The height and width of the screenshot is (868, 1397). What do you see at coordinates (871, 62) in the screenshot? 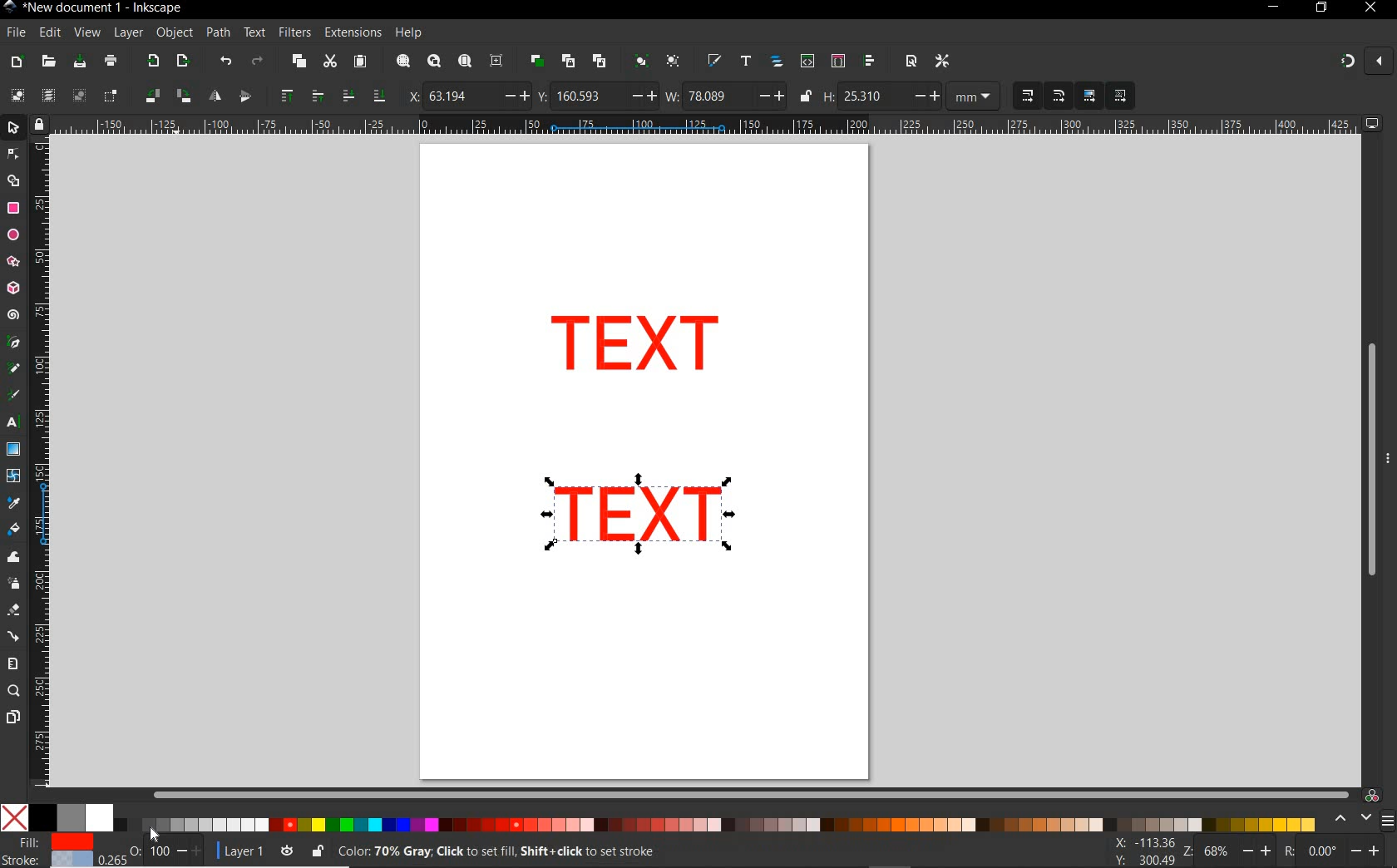
I see `open align and distribute` at bounding box center [871, 62].